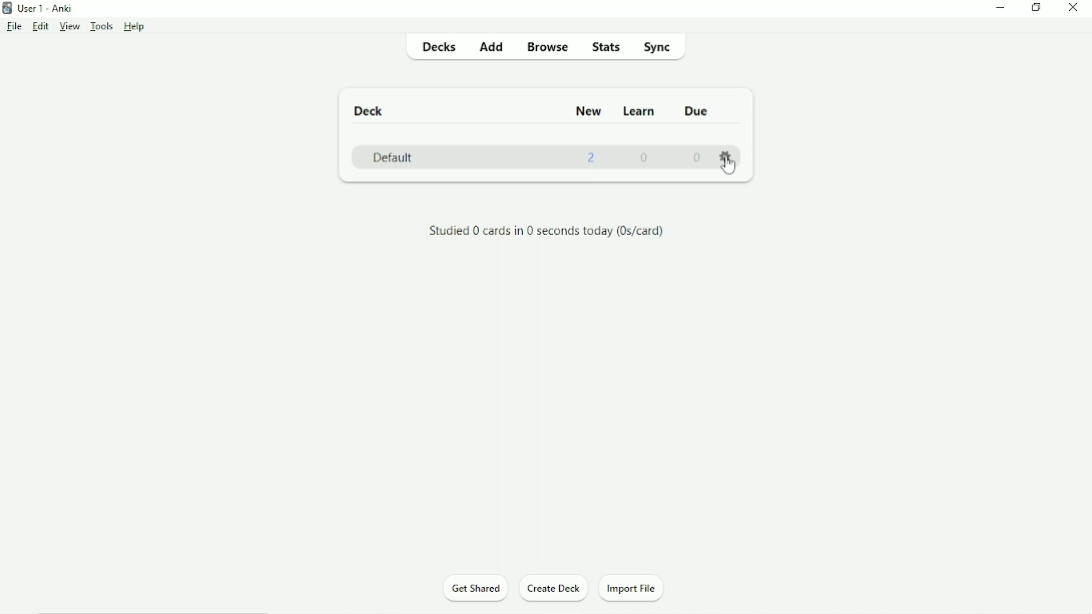 This screenshot has width=1092, height=614. Describe the element at coordinates (694, 111) in the screenshot. I see `Due` at that location.